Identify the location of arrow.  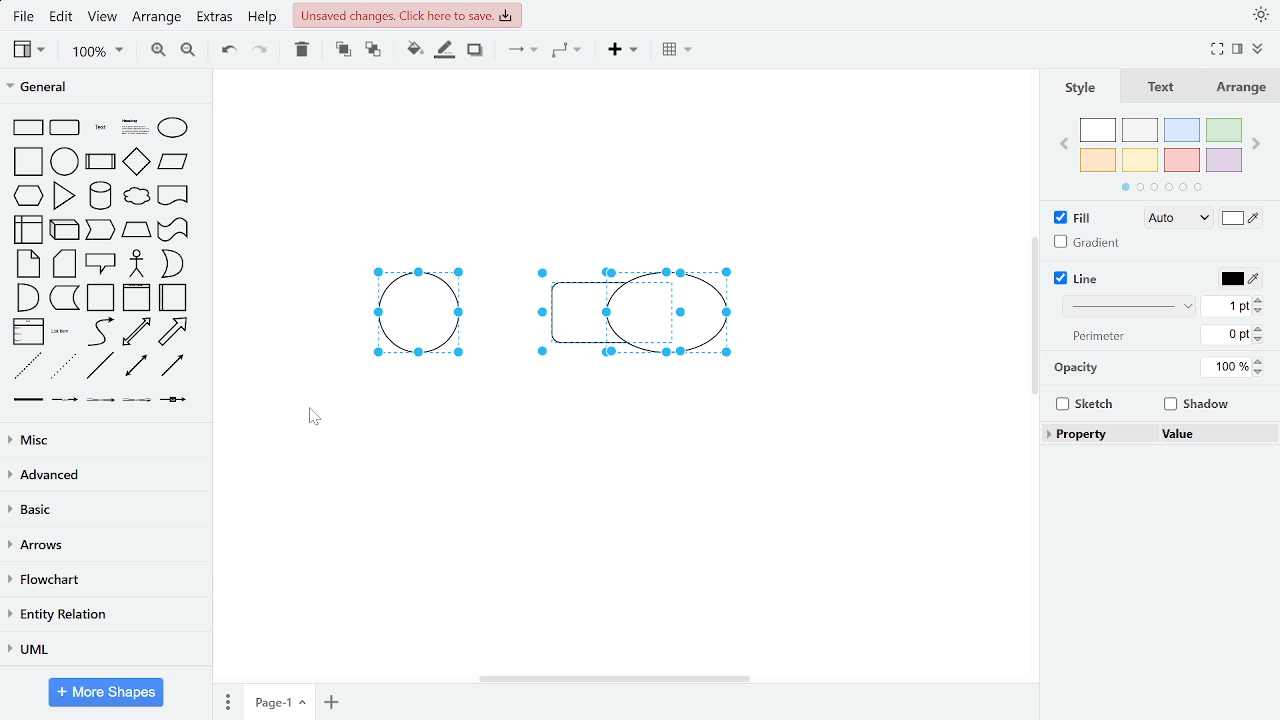
(174, 332).